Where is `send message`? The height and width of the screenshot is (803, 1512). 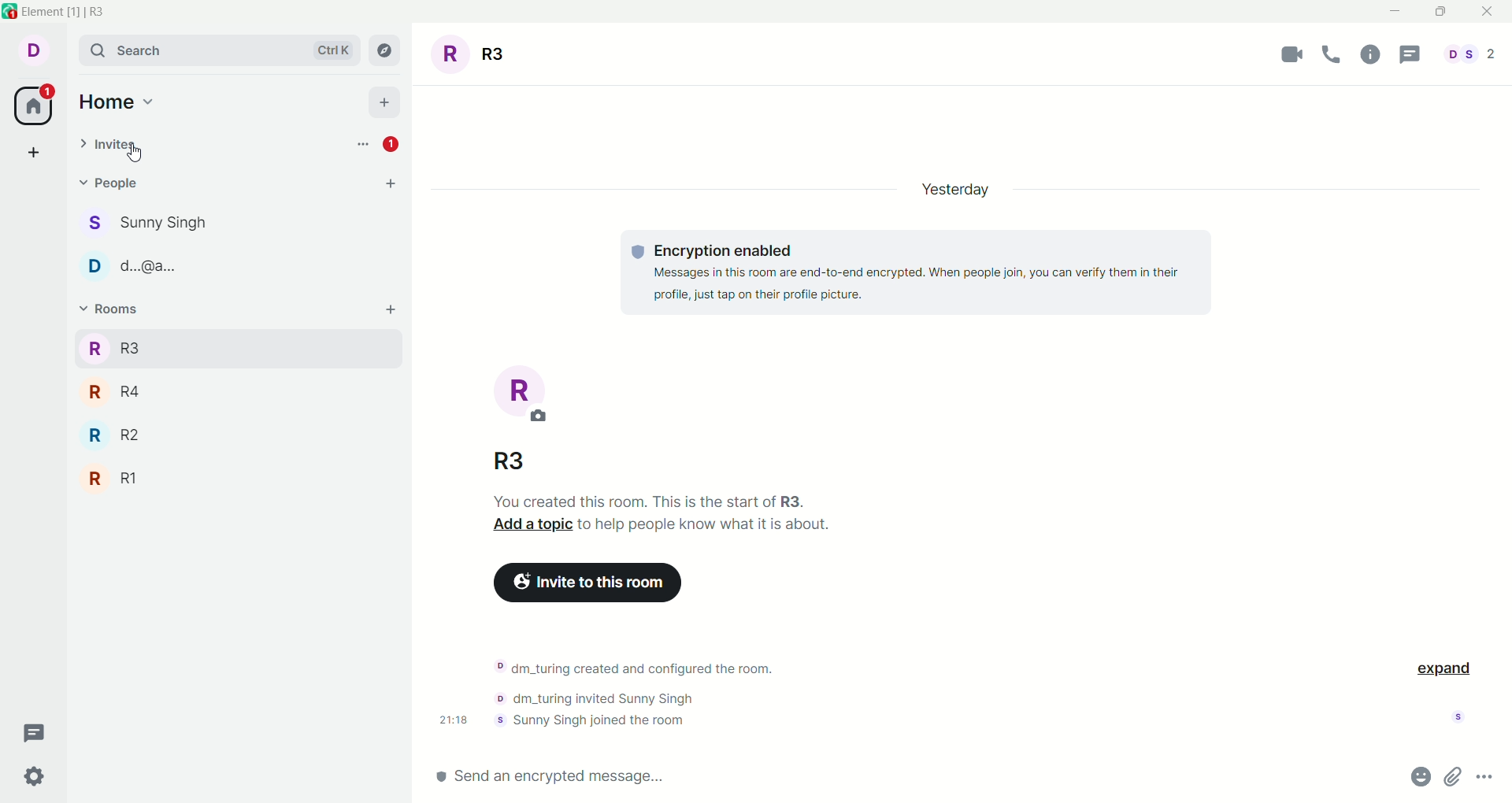
send message is located at coordinates (905, 776).